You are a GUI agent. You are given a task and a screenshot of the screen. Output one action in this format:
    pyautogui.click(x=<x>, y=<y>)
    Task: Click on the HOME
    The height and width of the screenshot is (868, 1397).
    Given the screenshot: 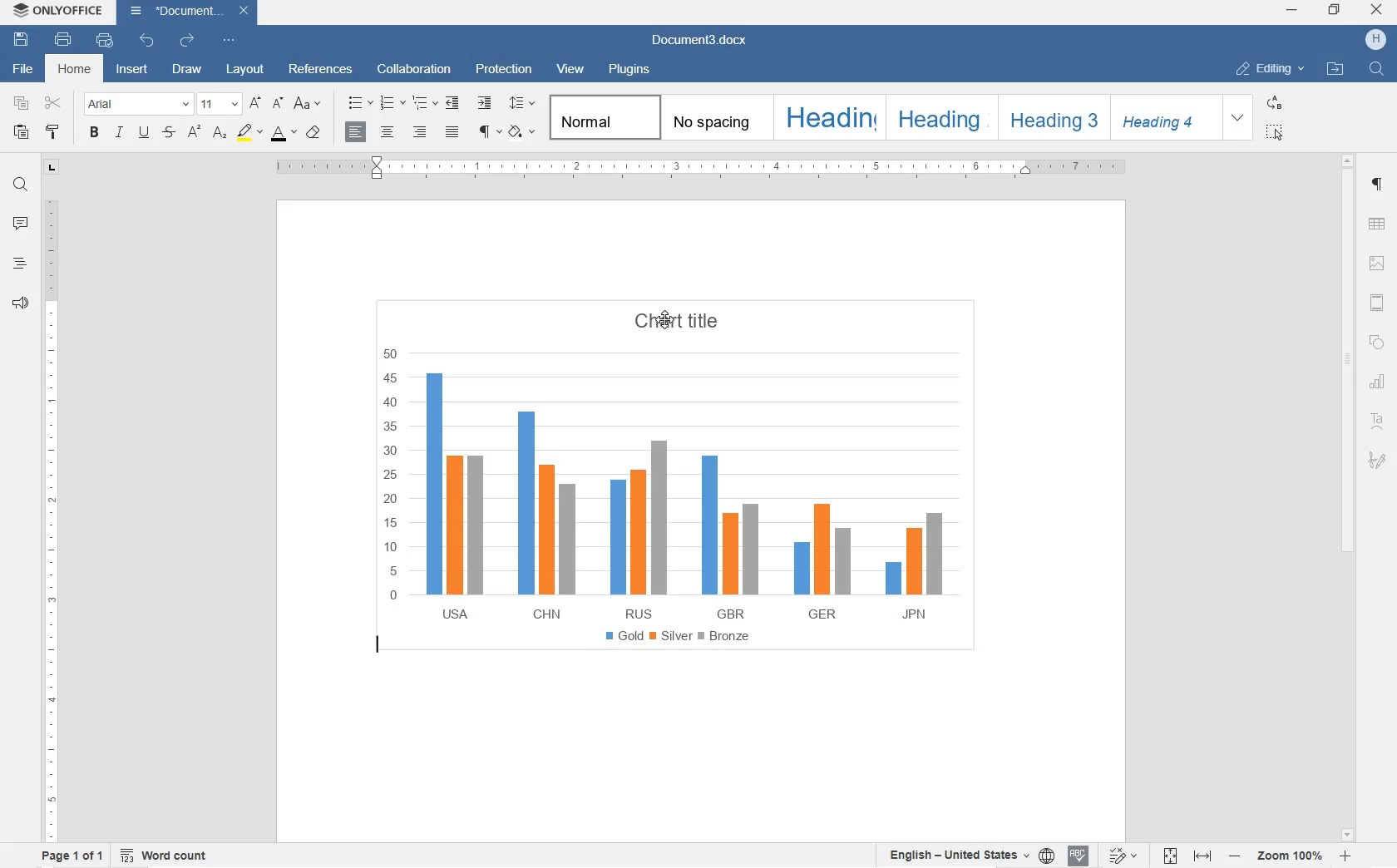 What is the action you would take?
    pyautogui.click(x=74, y=71)
    